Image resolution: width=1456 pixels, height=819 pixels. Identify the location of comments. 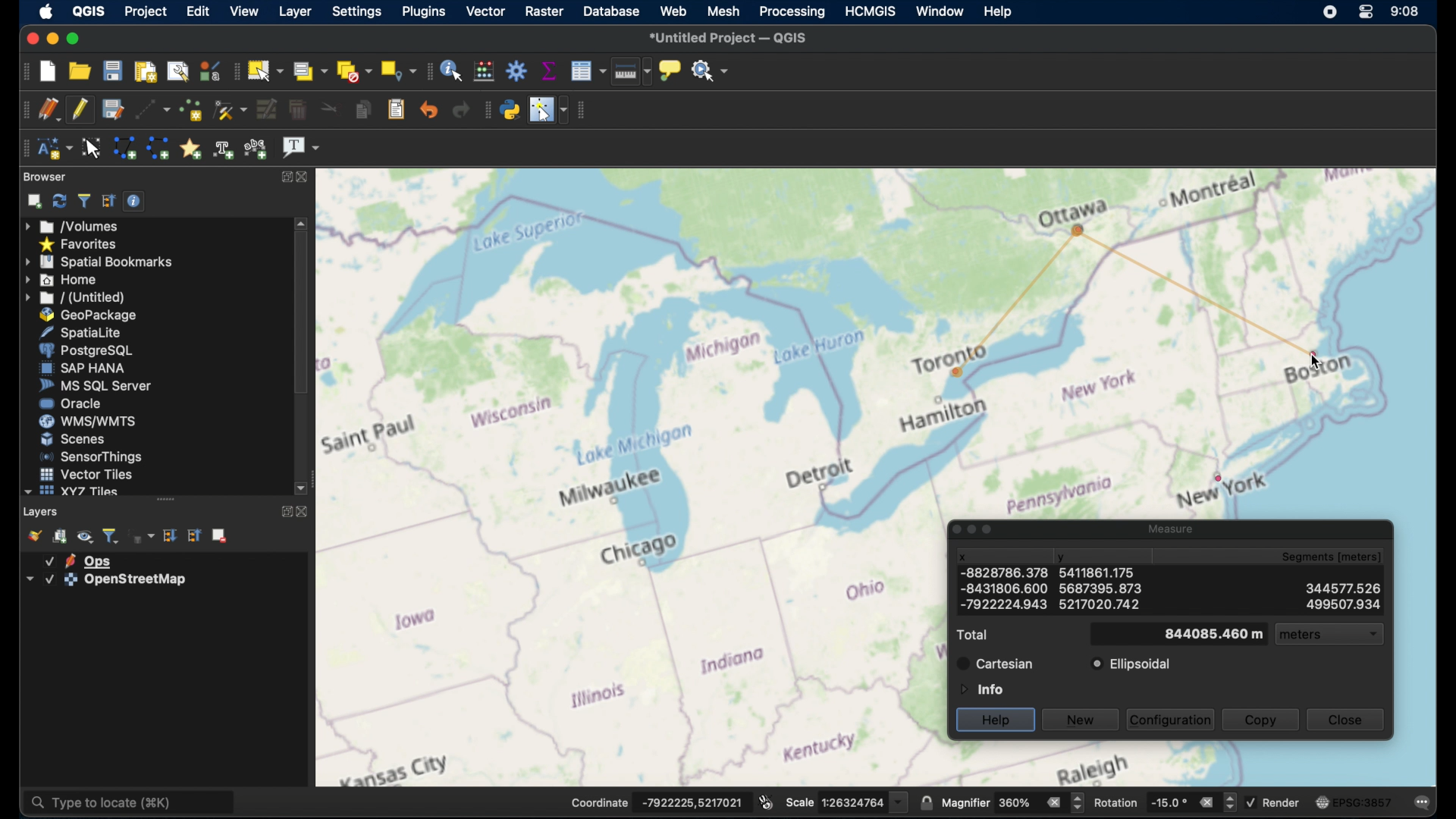
(1423, 801).